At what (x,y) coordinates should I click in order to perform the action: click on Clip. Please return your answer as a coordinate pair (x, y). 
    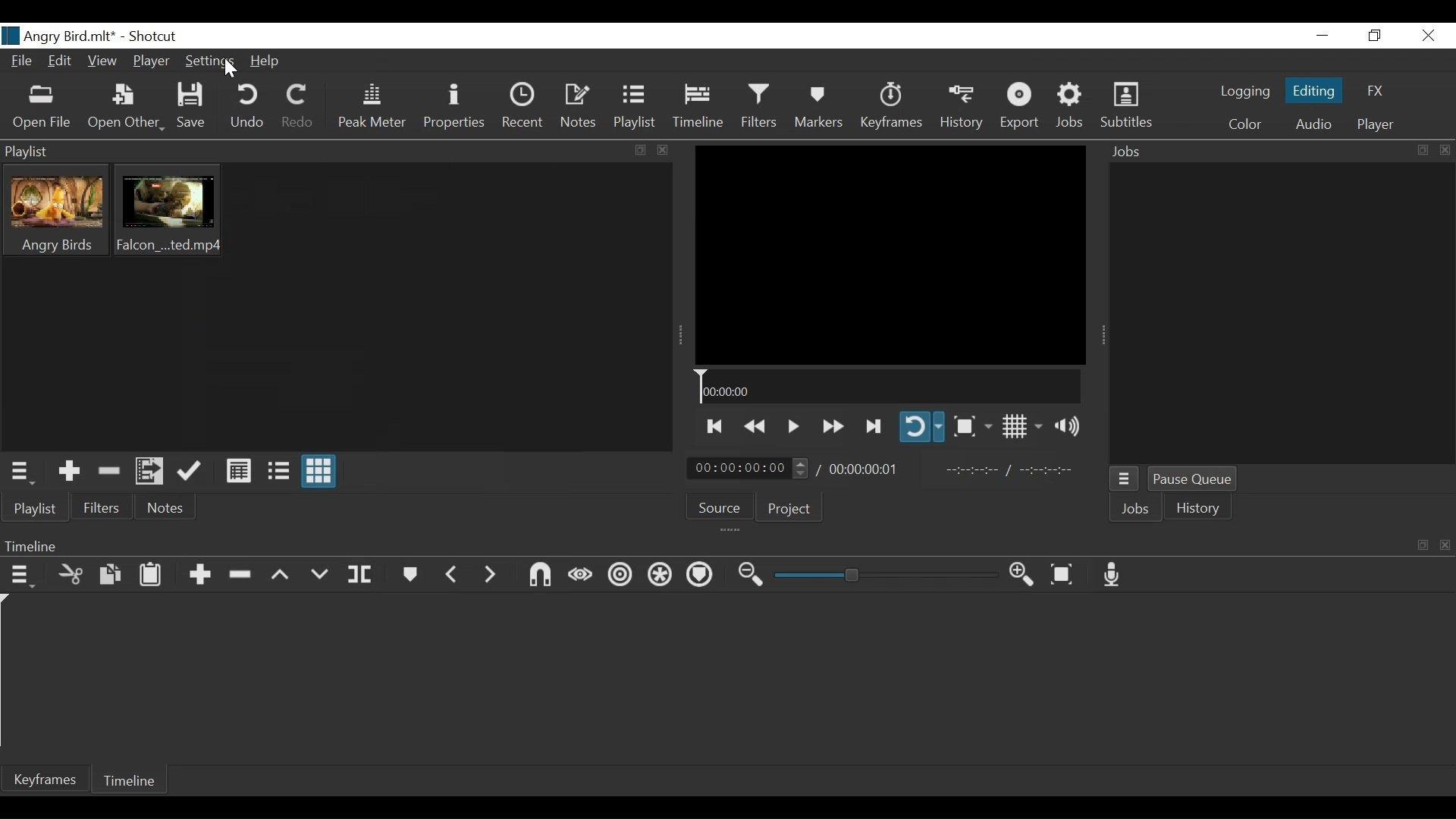
    Looking at the image, I should click on (169, 210).